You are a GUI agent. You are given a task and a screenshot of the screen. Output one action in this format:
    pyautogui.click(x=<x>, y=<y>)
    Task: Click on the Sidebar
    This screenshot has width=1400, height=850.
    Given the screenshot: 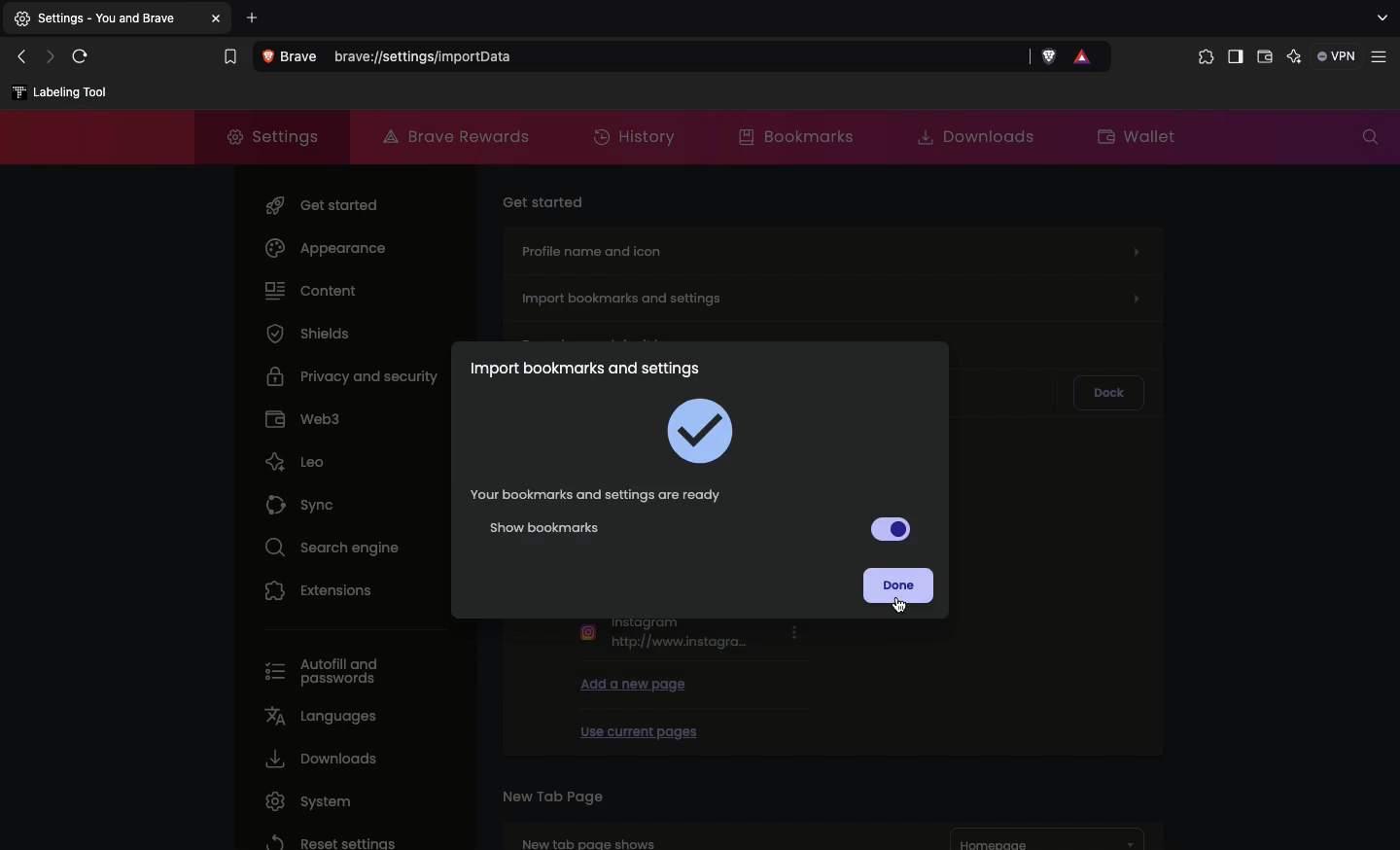 What is the action you would take?
    pyautogui.click(x=1234, y=58)
    